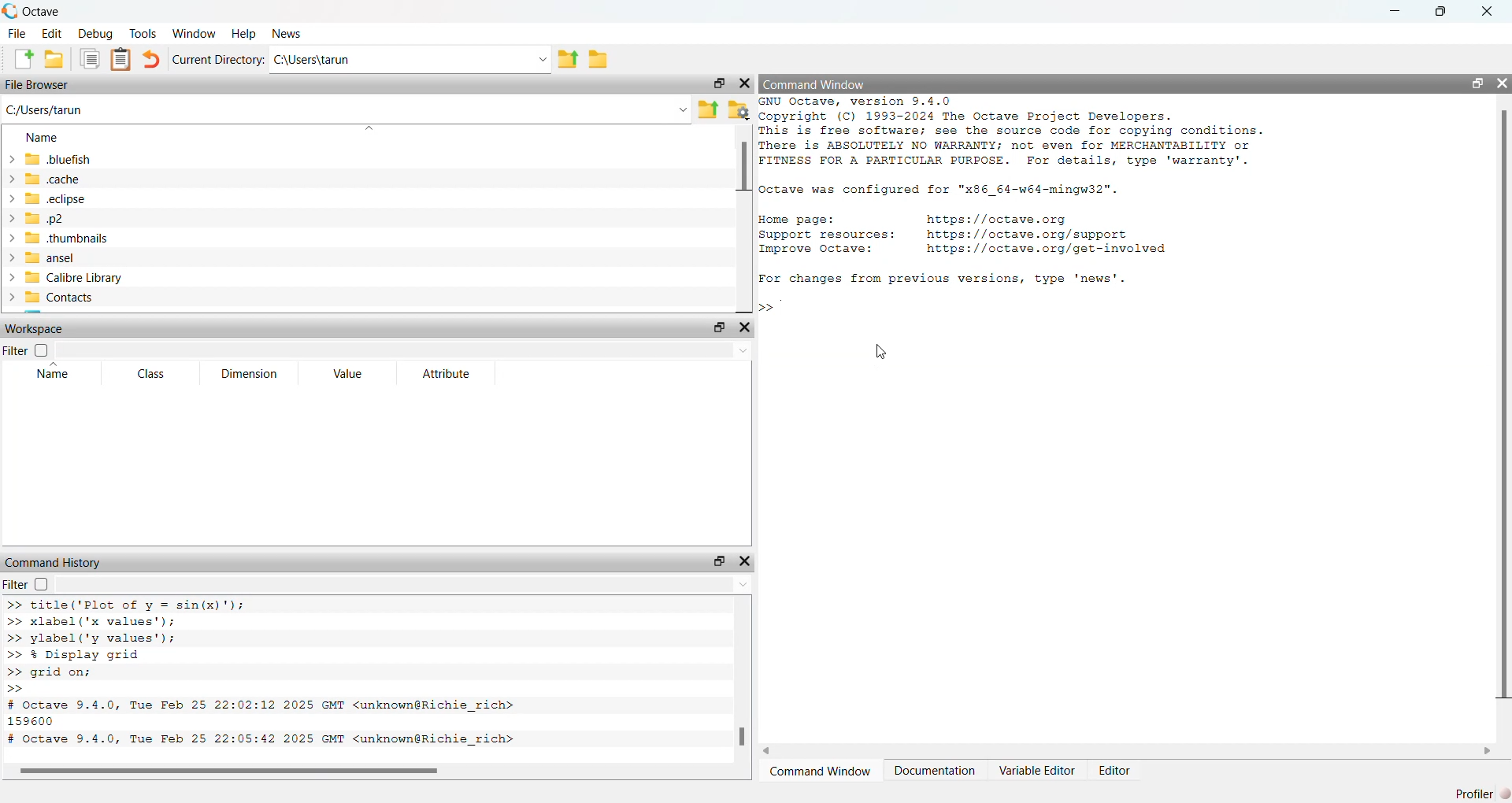 Image resolution: width=1512 pixels, height=803 pixels. What do you see at coordinates (1503, 405) in the screenshot?
I see `scroll bar` at bounding box center [1503, 405].